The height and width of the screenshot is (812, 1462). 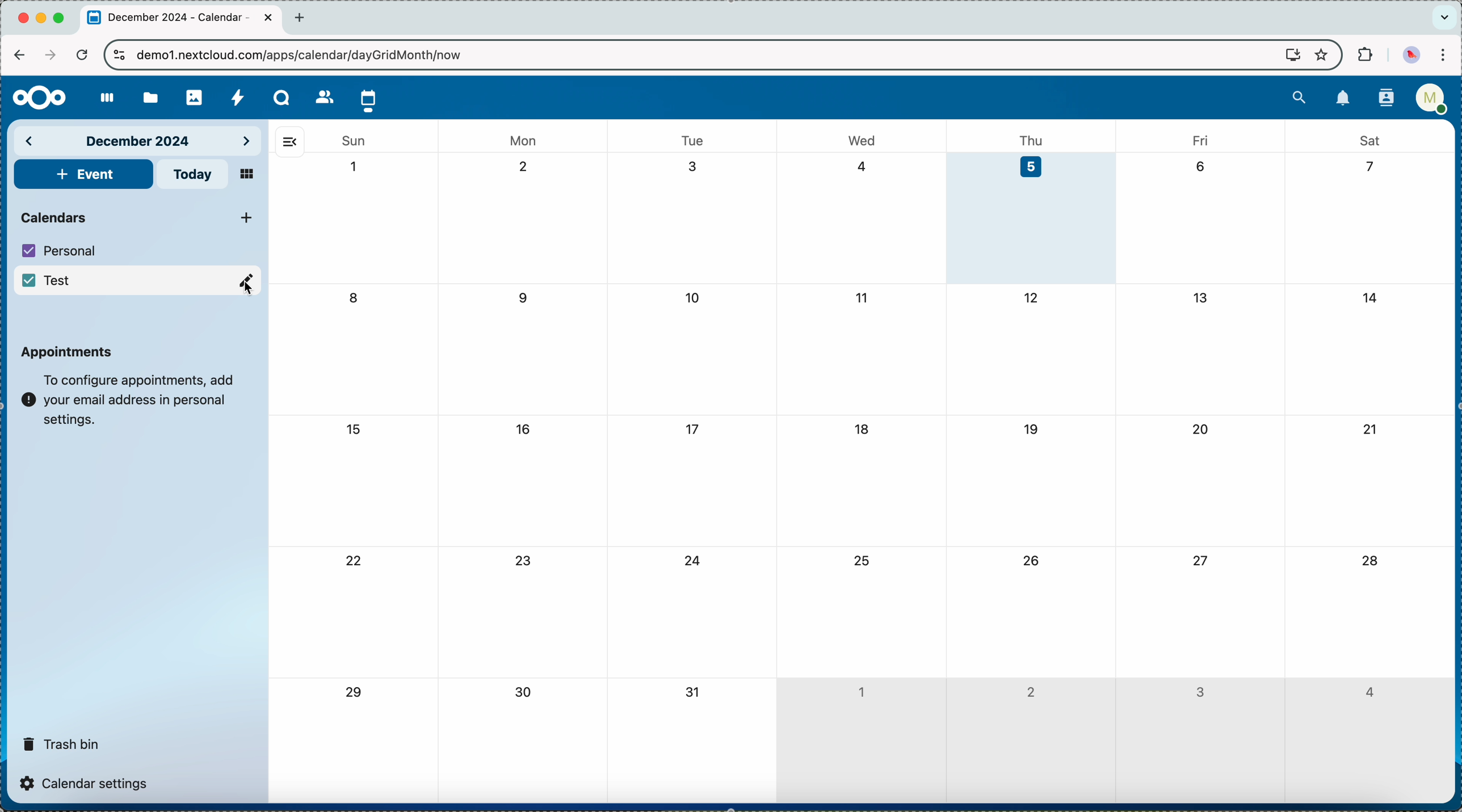 What do you see at coordinates (61, 18) in the screenshot?
I see `maximize` at bounding box center [61, 18].